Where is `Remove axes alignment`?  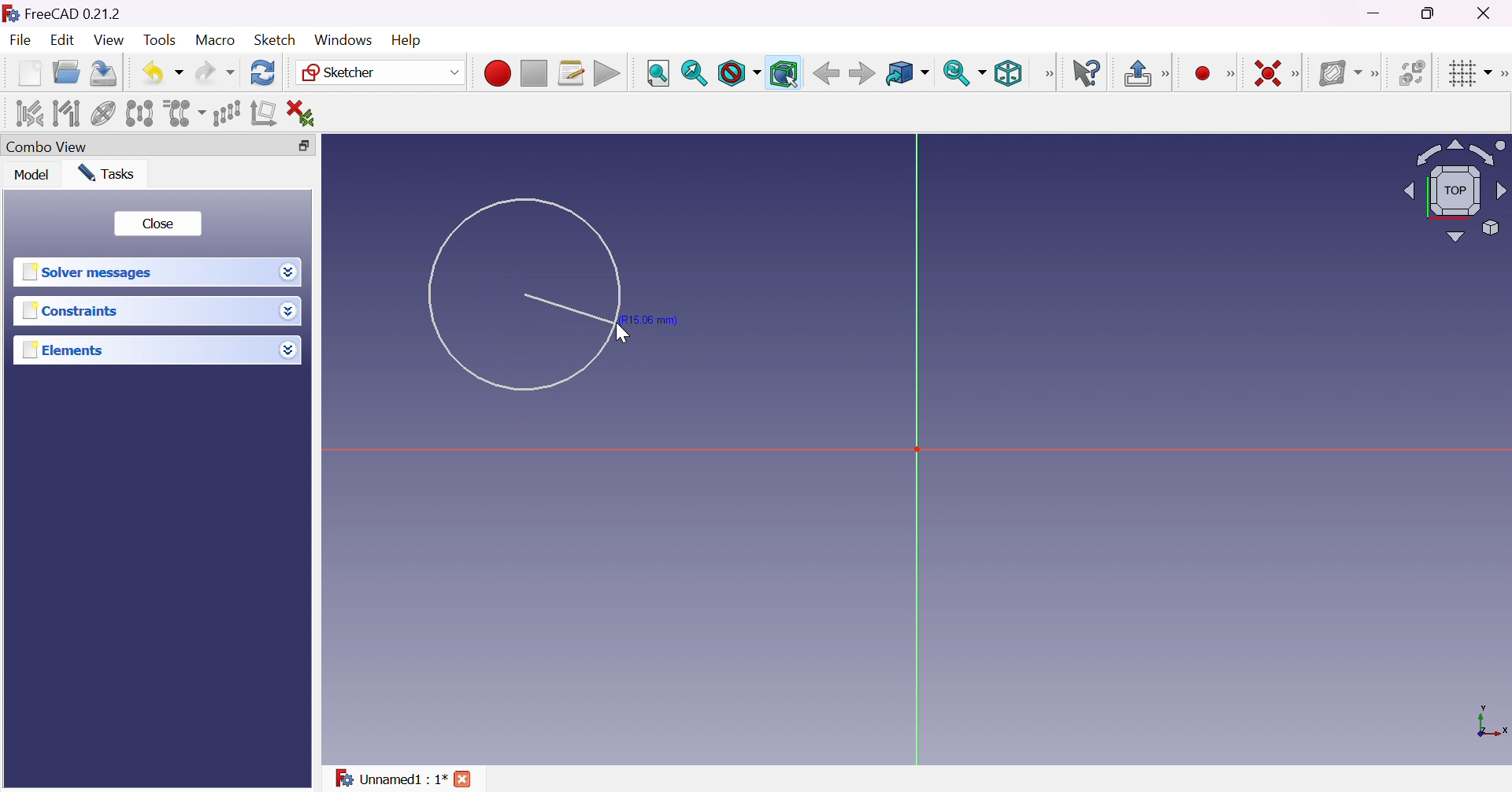 Remove axes alignment is located at coordinates (264, 114).